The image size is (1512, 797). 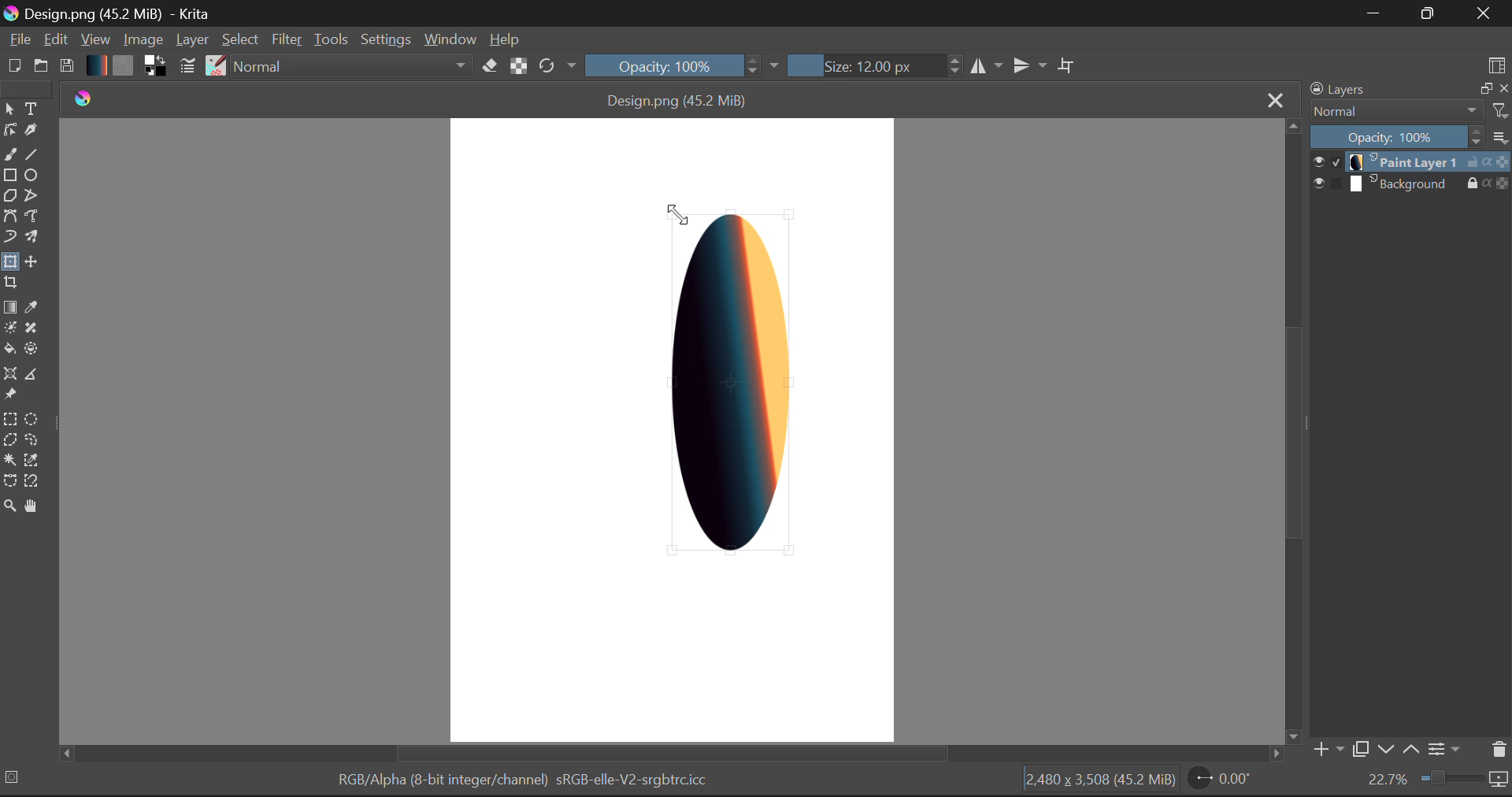 I want to click on Ellipses, so click(x=32, y=176).